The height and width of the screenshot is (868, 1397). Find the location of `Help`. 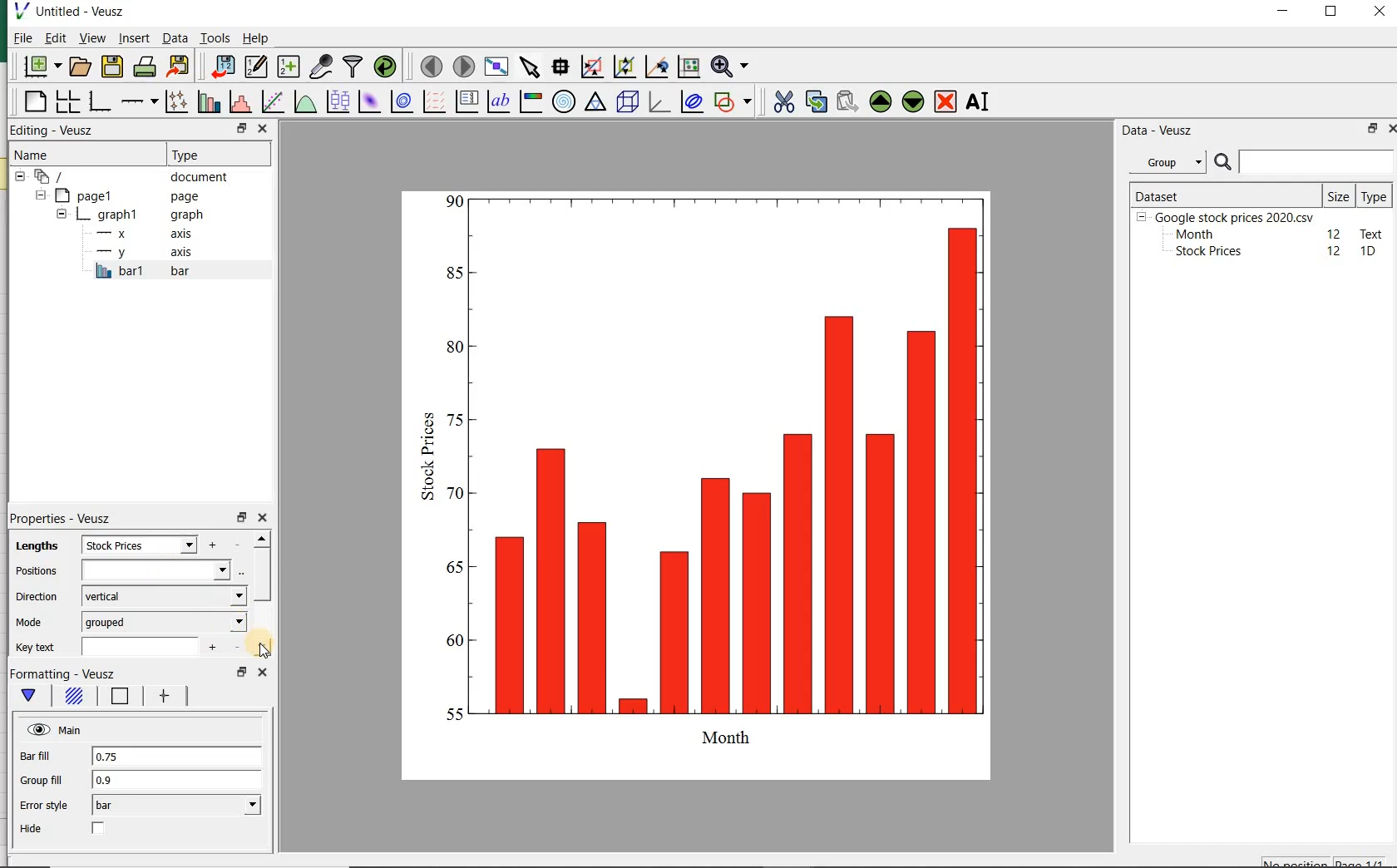

Help is located at coordinates (258, 40).